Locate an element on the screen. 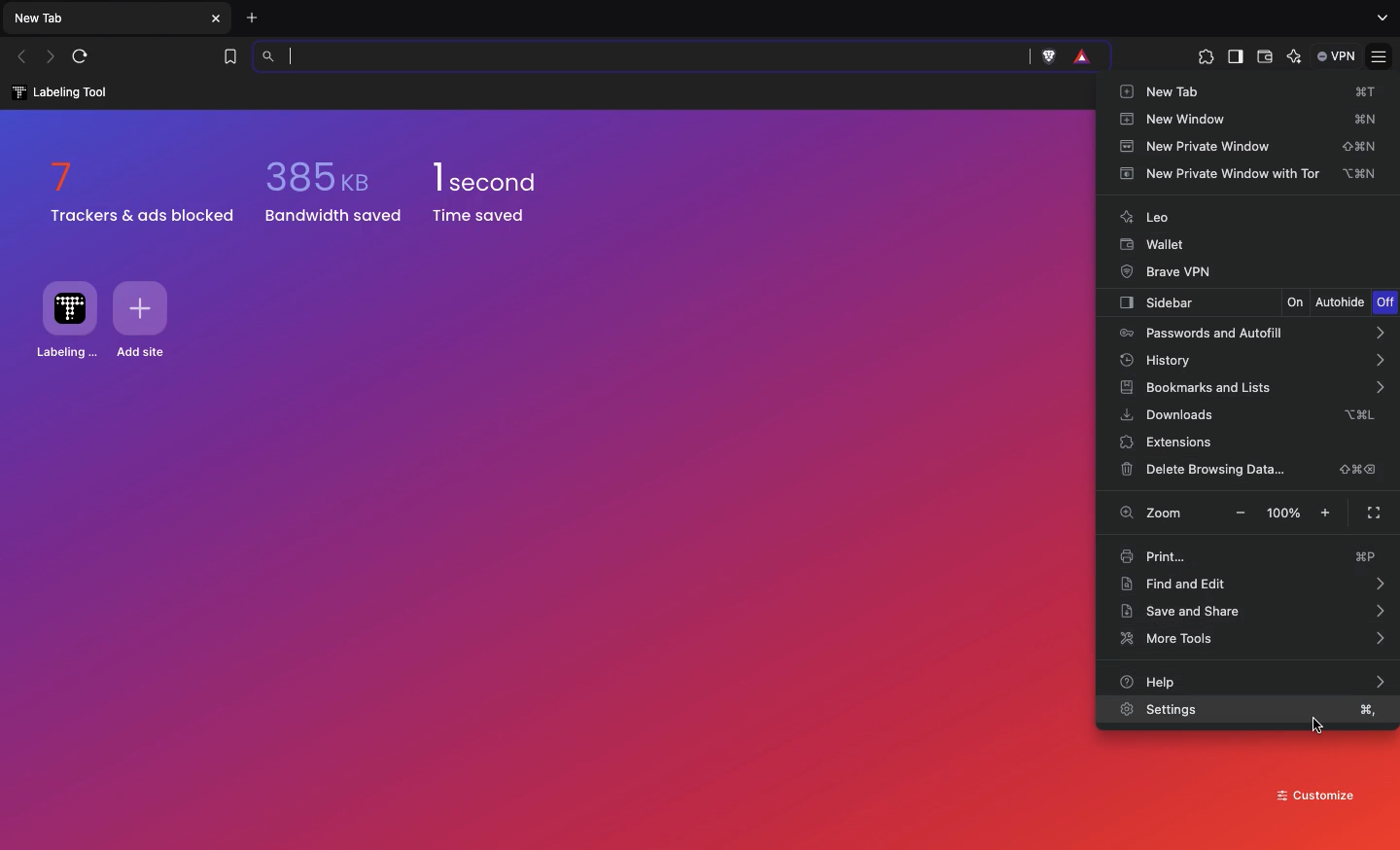  Extensions is located at coordinates (1206, 60).